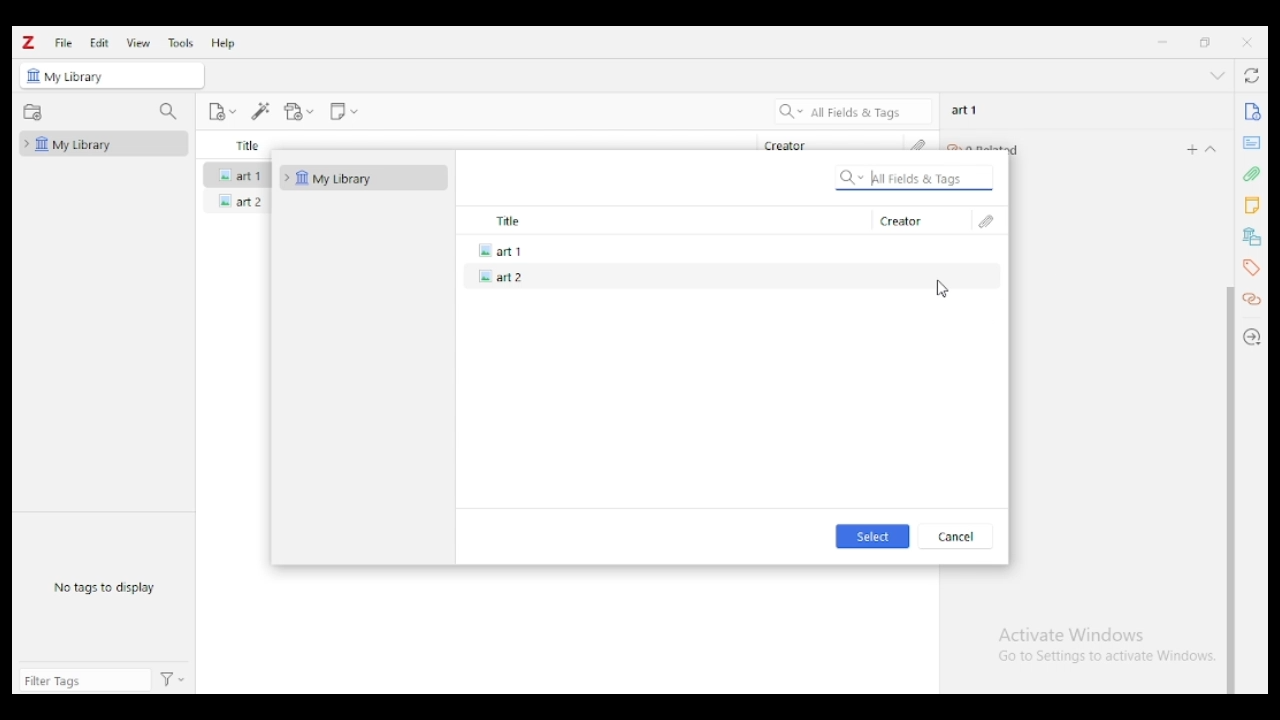 This screenshot has width=1280, height=720. I want to click on libraries and collections, so click(1250, 237).